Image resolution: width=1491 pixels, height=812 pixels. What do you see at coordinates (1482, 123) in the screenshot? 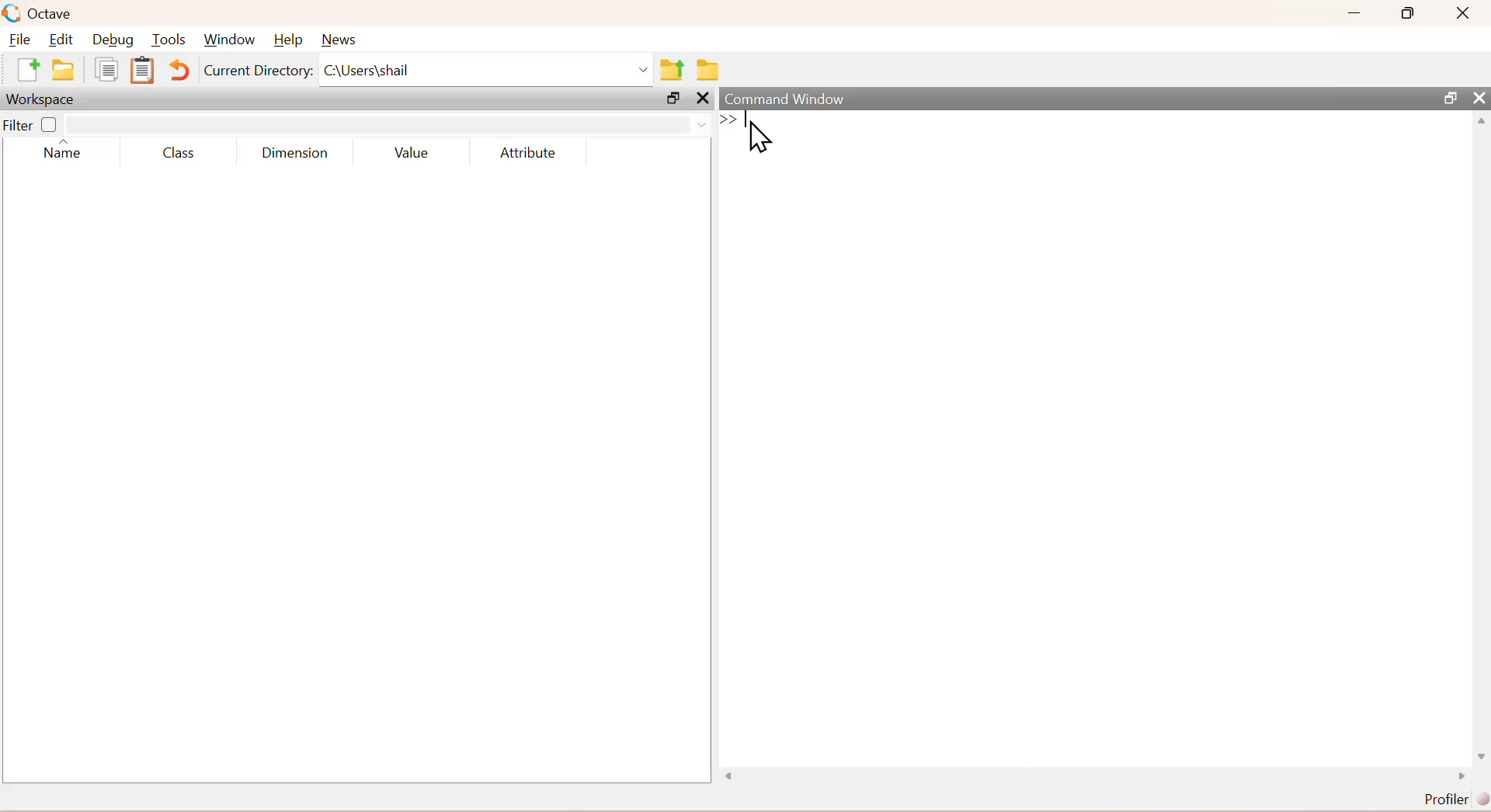
I see `Up` at bounding box center [1482, 123].